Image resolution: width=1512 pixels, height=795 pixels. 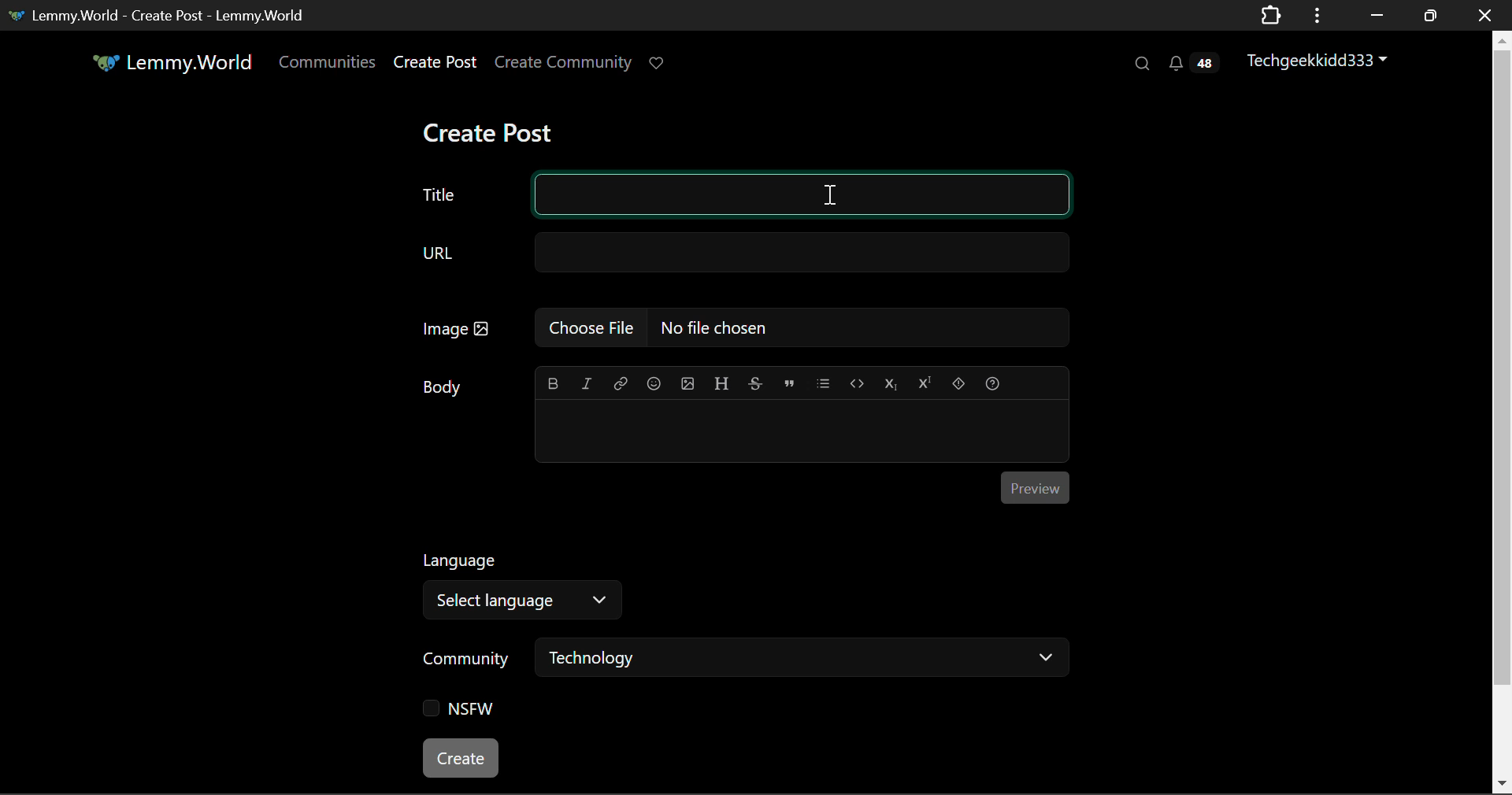 What do you see at coordinates (721, 381) in the screenshot?
I see `header` at bounding box center [721, 381].